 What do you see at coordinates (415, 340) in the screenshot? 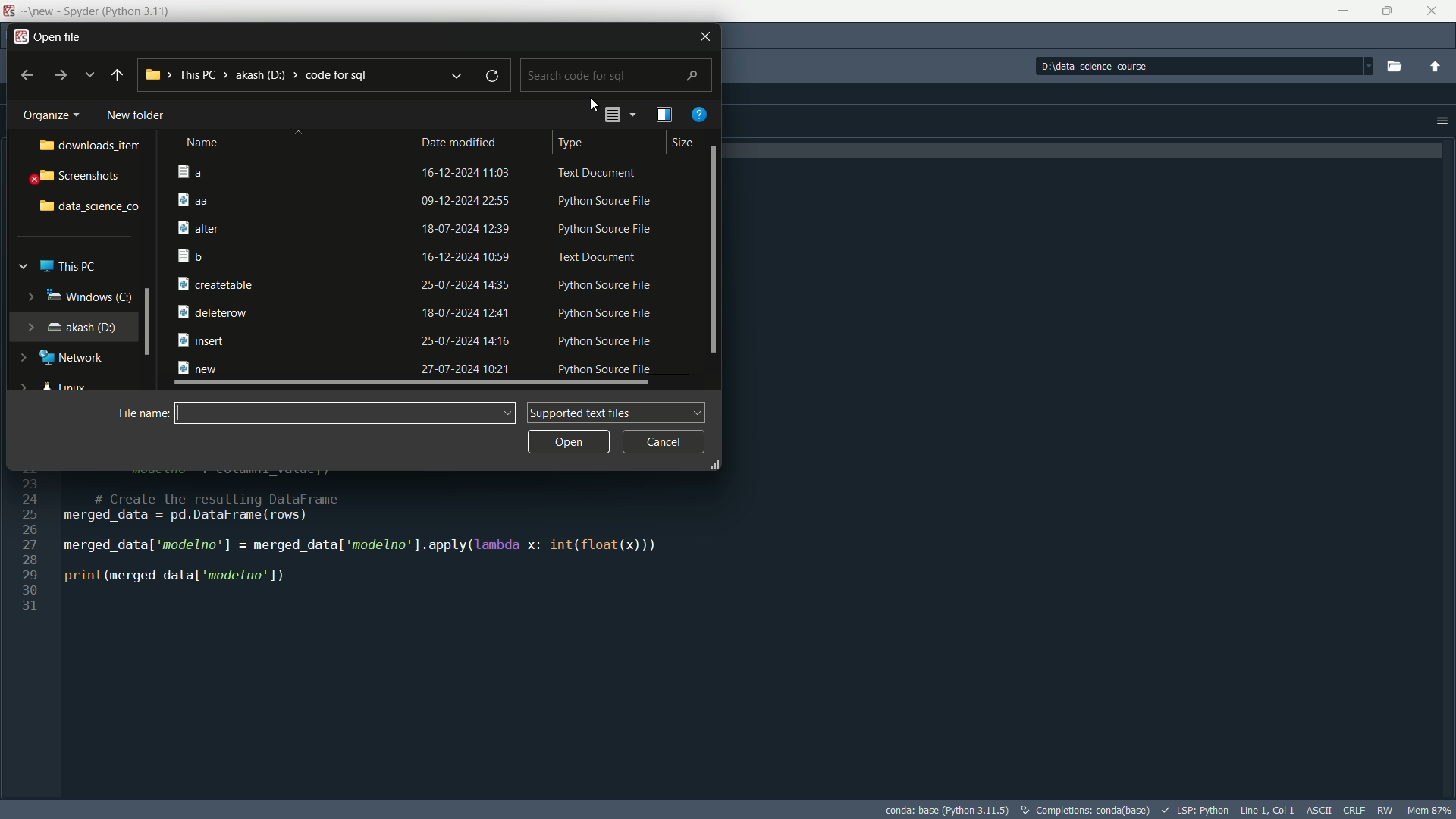
I see `file-7` at bounding box center [415, 340].